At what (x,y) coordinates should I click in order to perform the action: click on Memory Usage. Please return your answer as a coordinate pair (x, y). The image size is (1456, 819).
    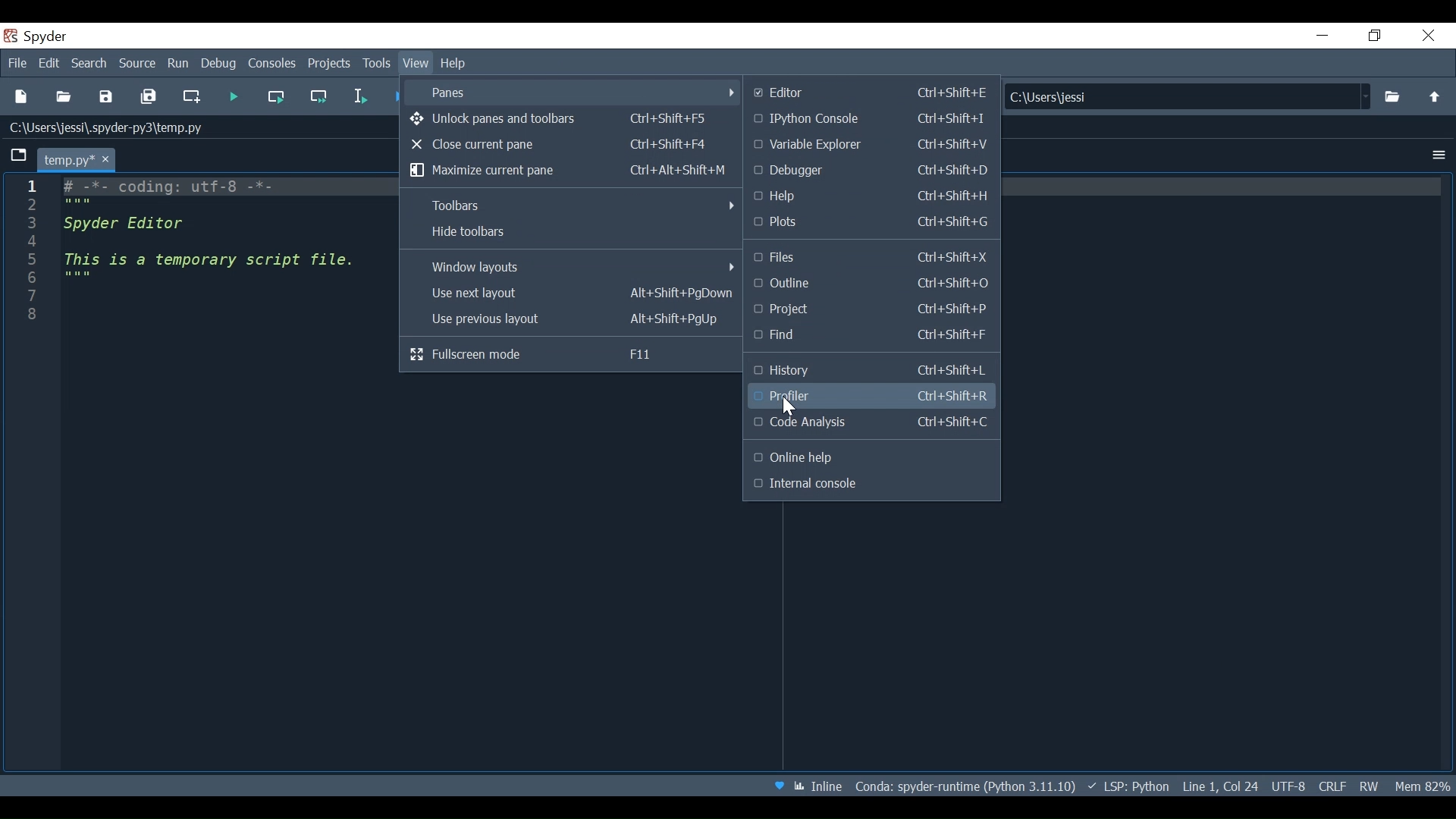
    Looking at the image, I should click on (1422, 783).